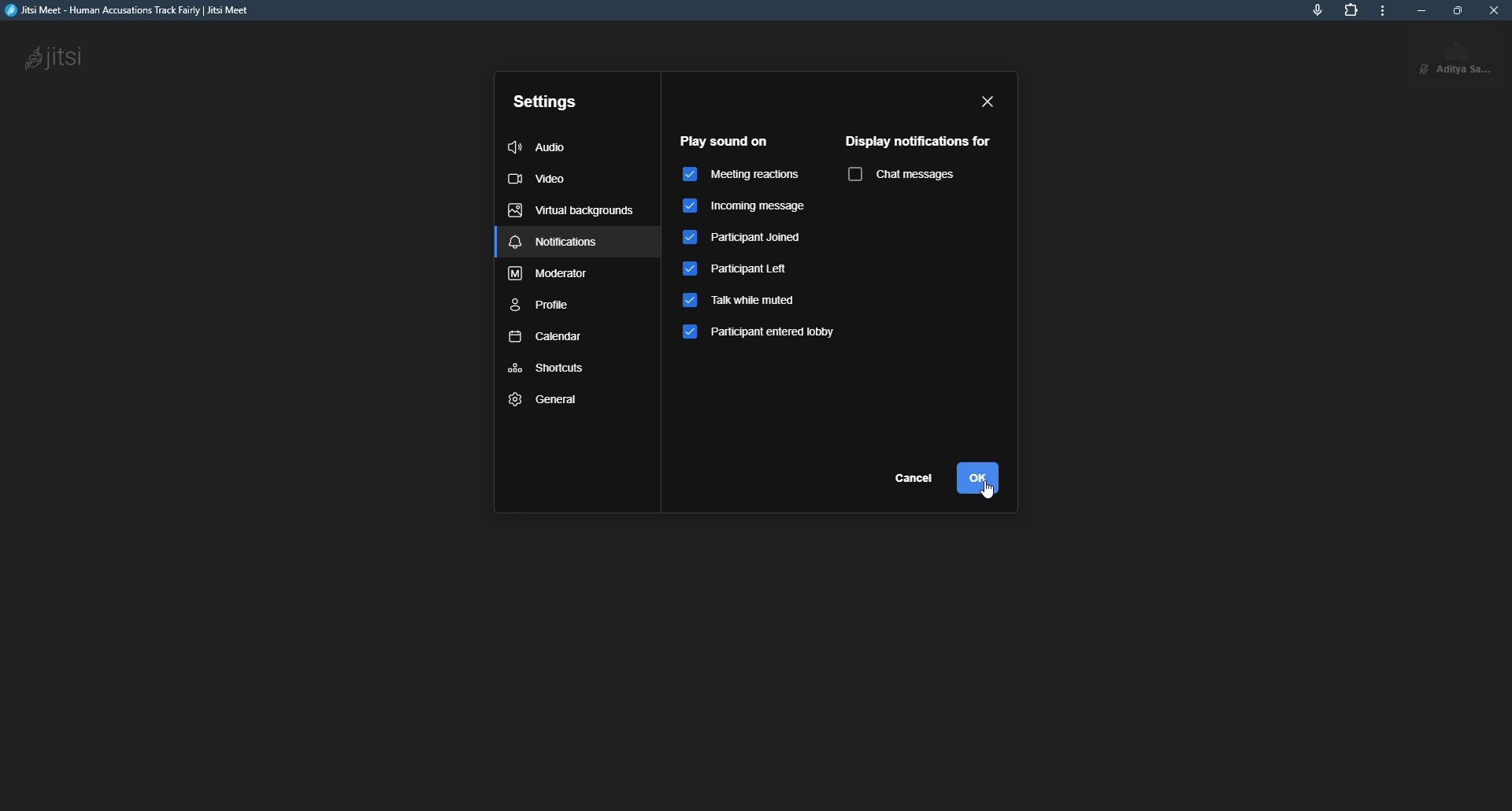  I want to click on audio, so click(536, 148).